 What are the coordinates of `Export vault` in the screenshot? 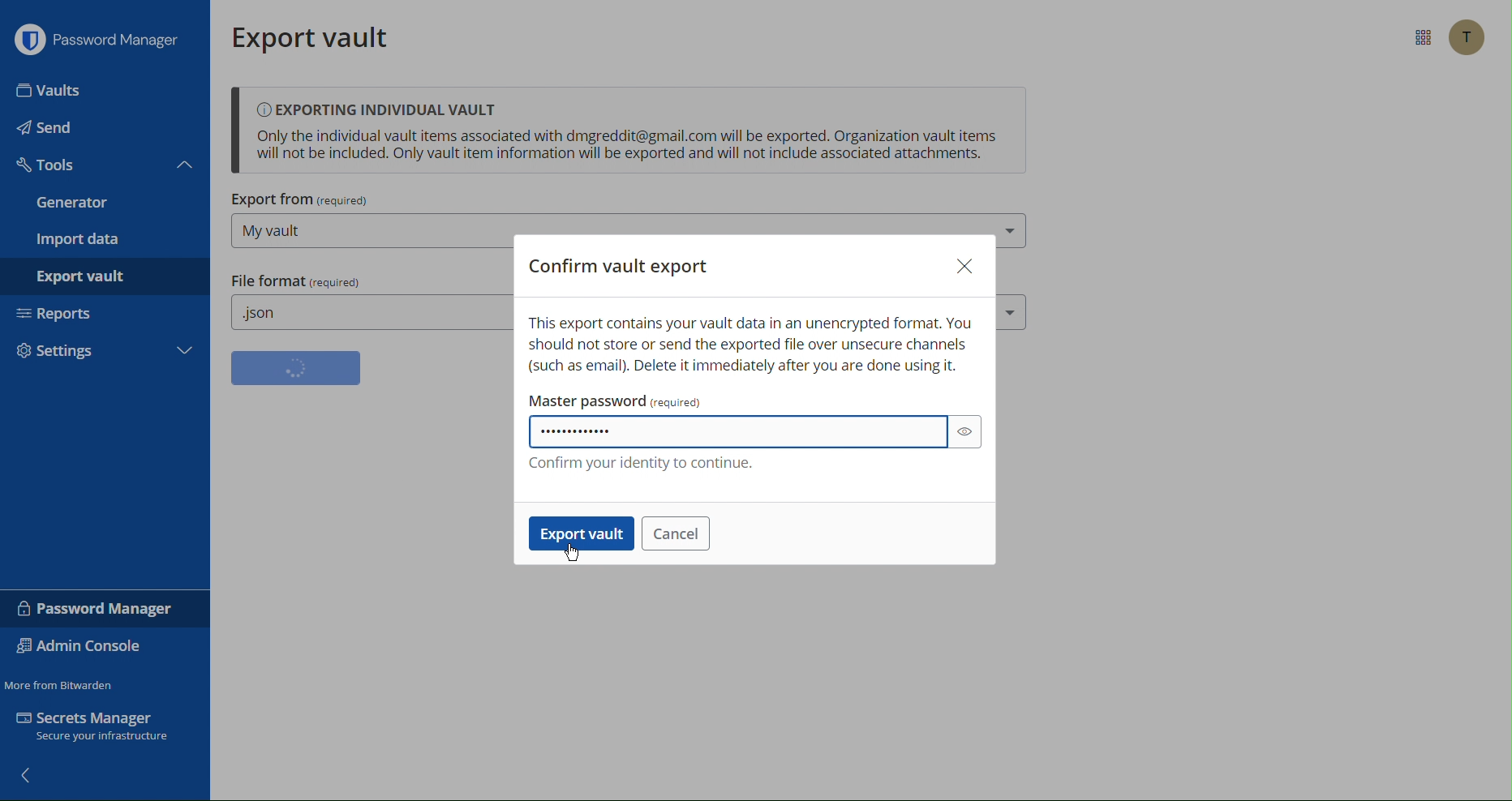 It's located at (582, 533).